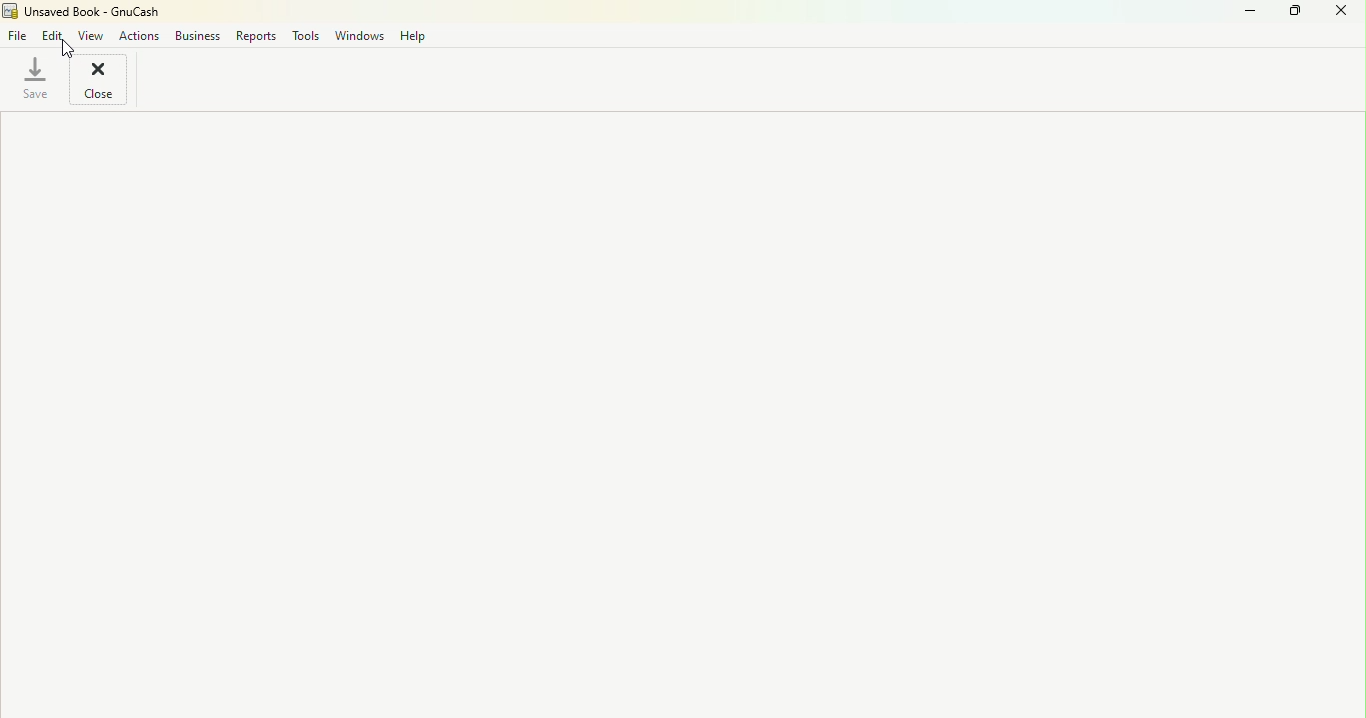 Image resolution: width=1366 pixels, height=718 pixels. I want to click on cursor, so click(67, 50).